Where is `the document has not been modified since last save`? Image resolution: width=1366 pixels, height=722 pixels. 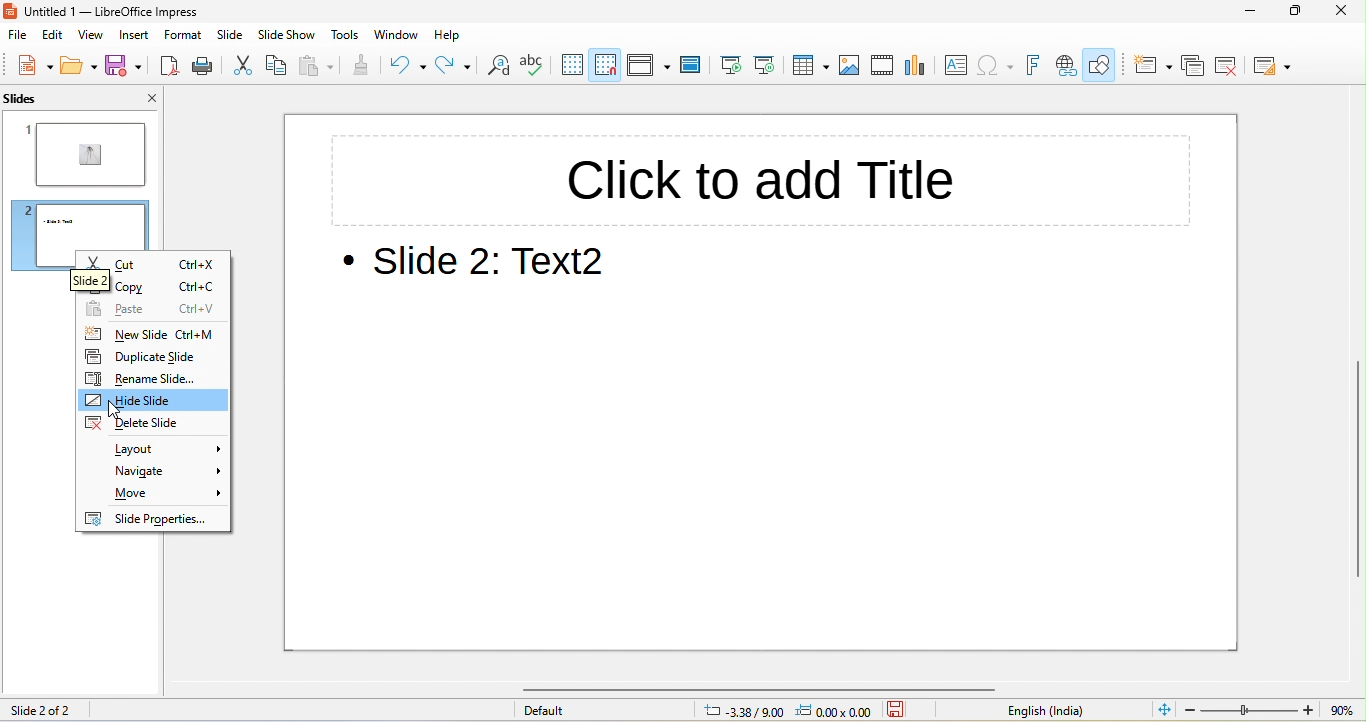
the document has not been modified since last save is located at coordinates (904, 710).